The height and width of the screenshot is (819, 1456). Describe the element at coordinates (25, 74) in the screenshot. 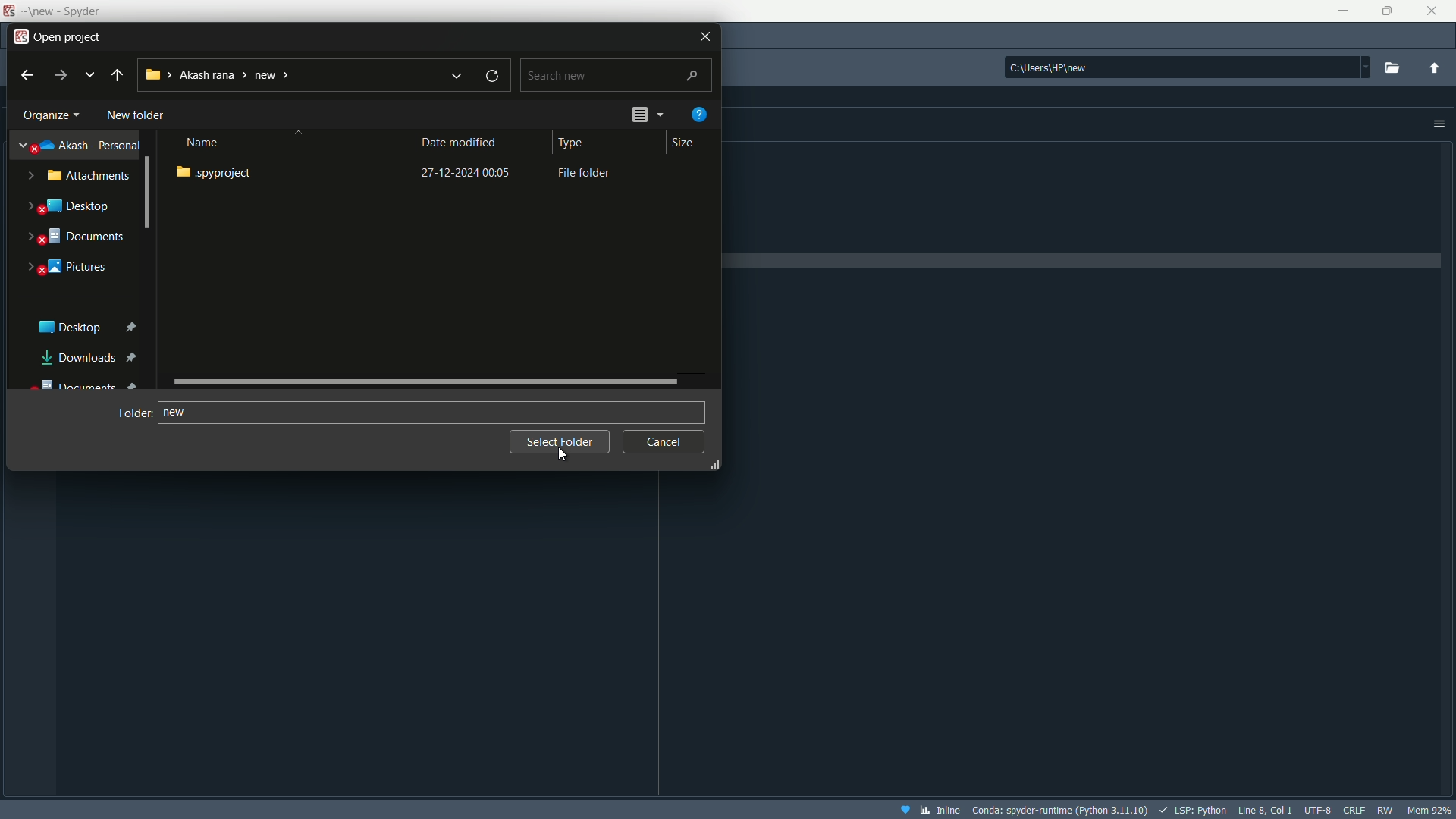

I see `backward` at that location.